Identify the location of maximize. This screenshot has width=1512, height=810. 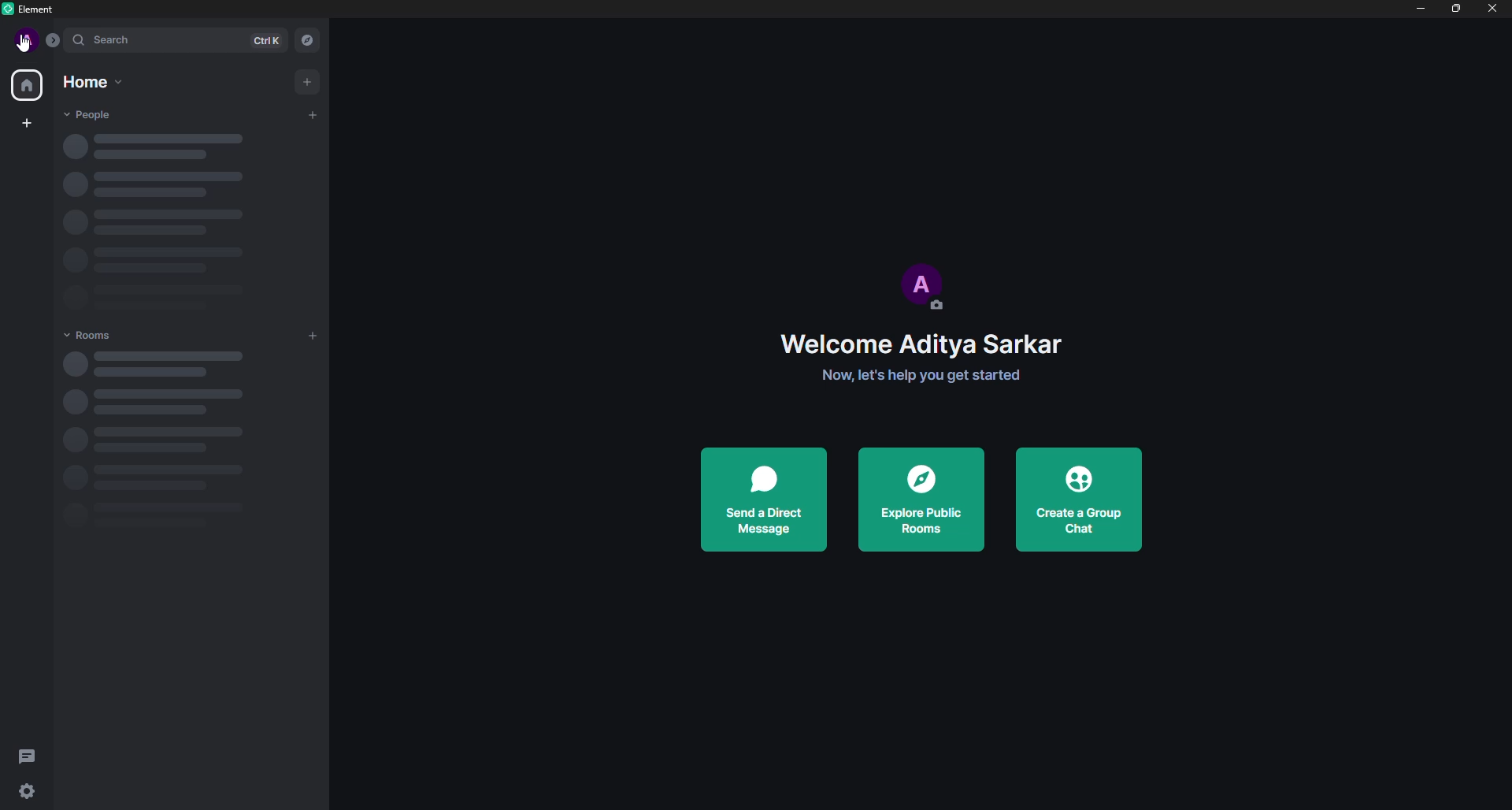
(1458, 10).